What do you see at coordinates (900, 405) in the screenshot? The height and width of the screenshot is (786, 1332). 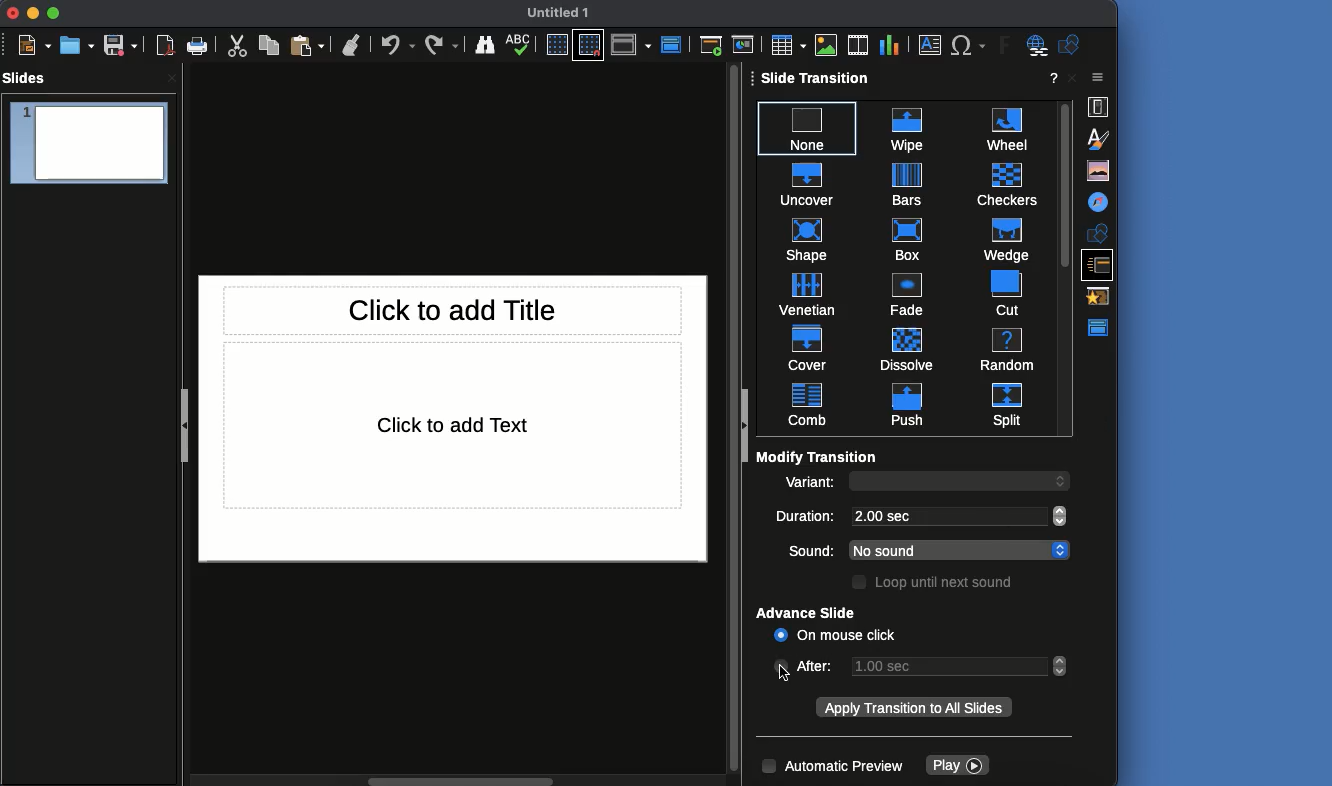 I see `push` at bounding box center [900, 405].